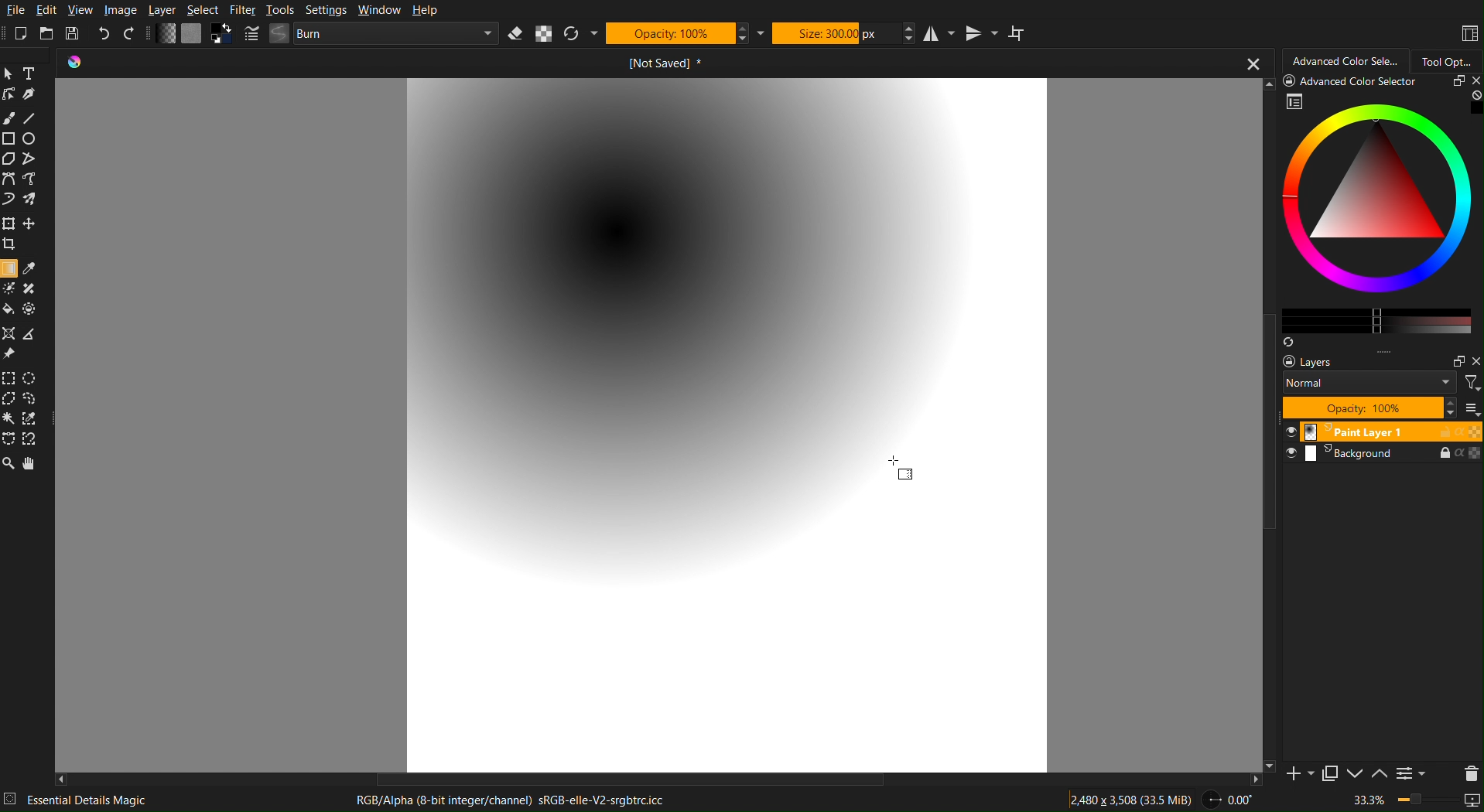 This screenshot has height=812, width=1484. I want to click on Select, so click(203, 10).